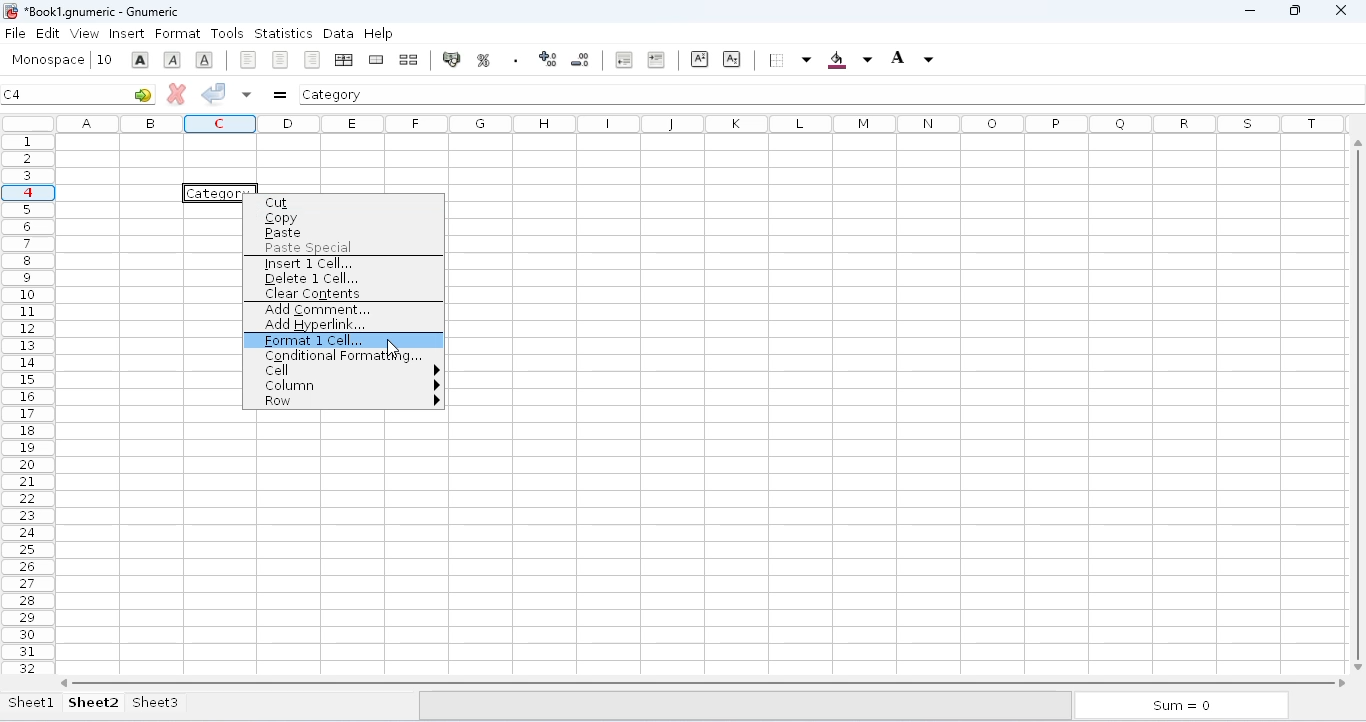 Image resolution: width=1366 pixels, height=722 pixels. Describe the element at coordinates (312, 294) in the screenshot. I see `clear contents` at that location.